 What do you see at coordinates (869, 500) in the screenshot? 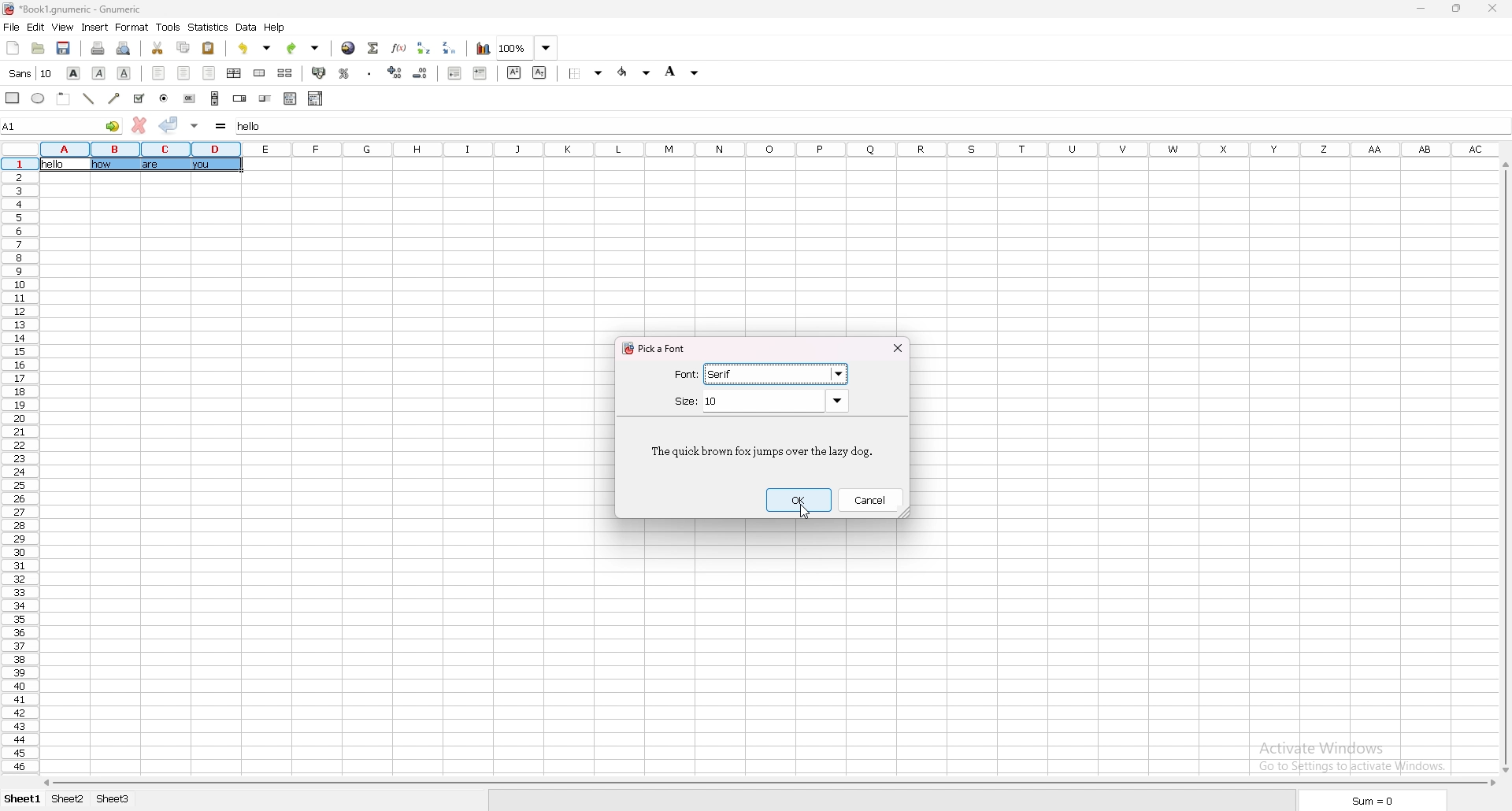
I see `cancel` at bounding box center [869, 500].